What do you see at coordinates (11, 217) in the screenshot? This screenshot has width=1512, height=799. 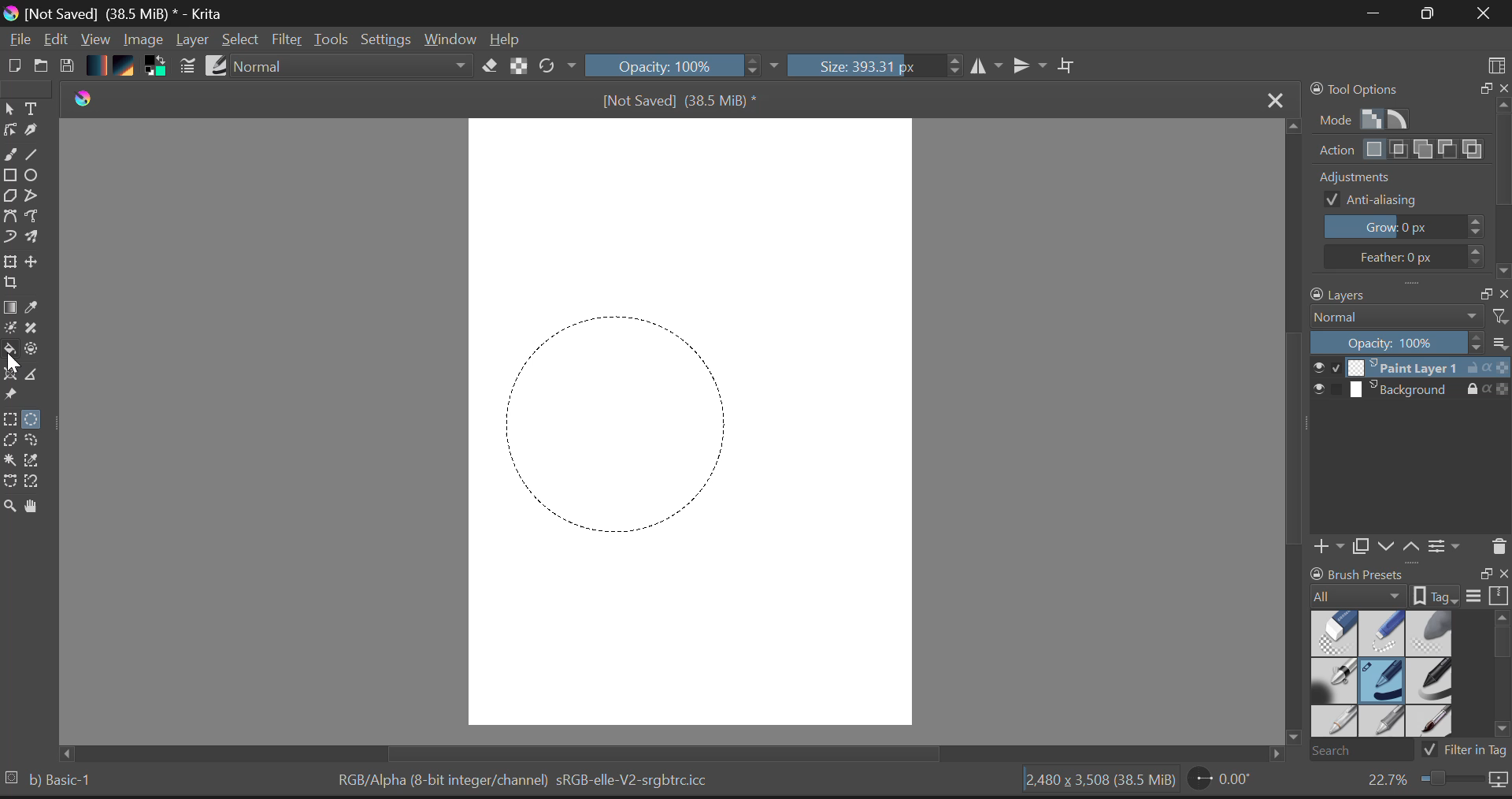 I see `Bezier Curve` at bounding box center [11, 217].